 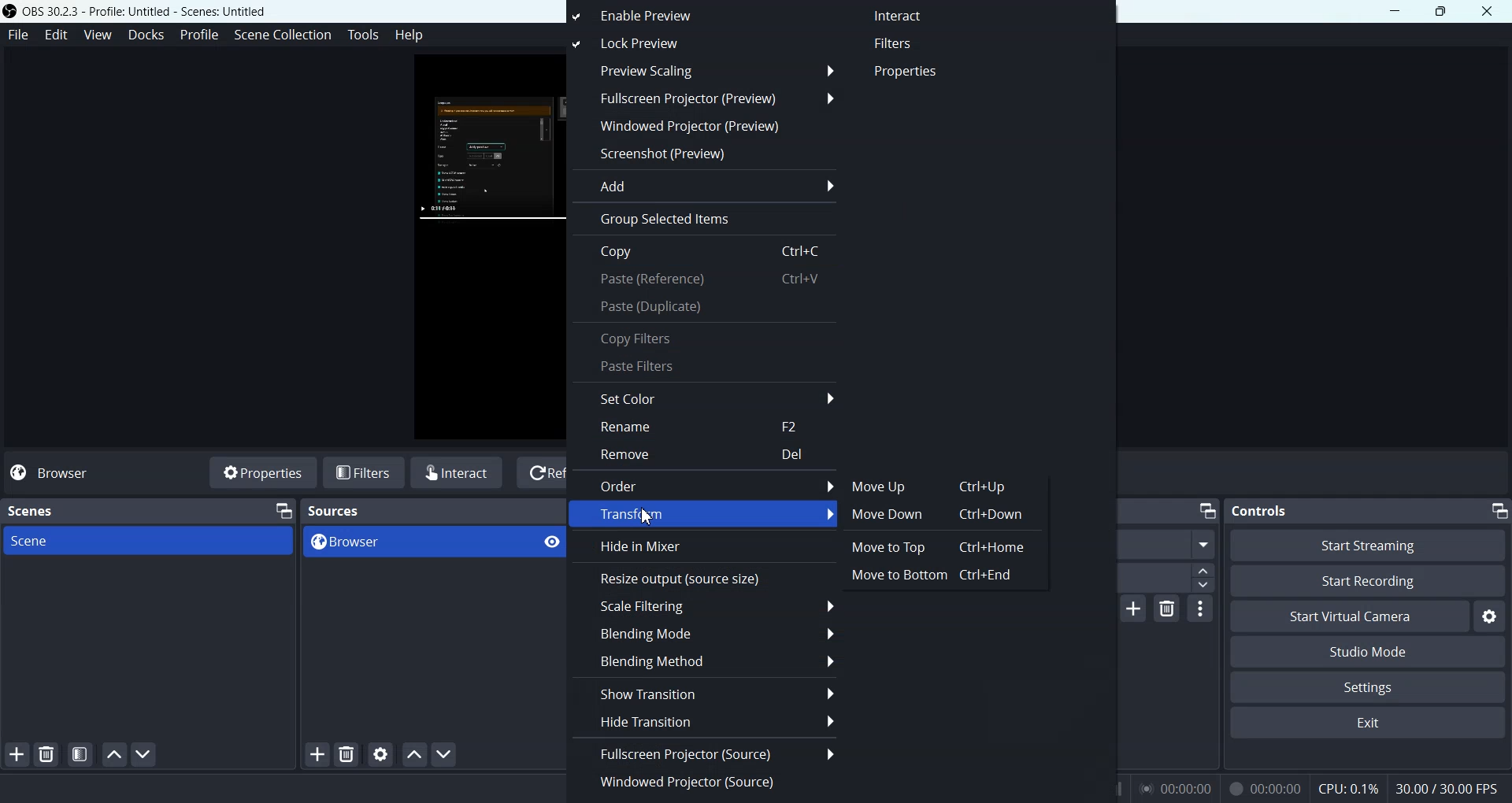 I want to click on Fullscreen Projector (preview), so click(x=702, y=98).